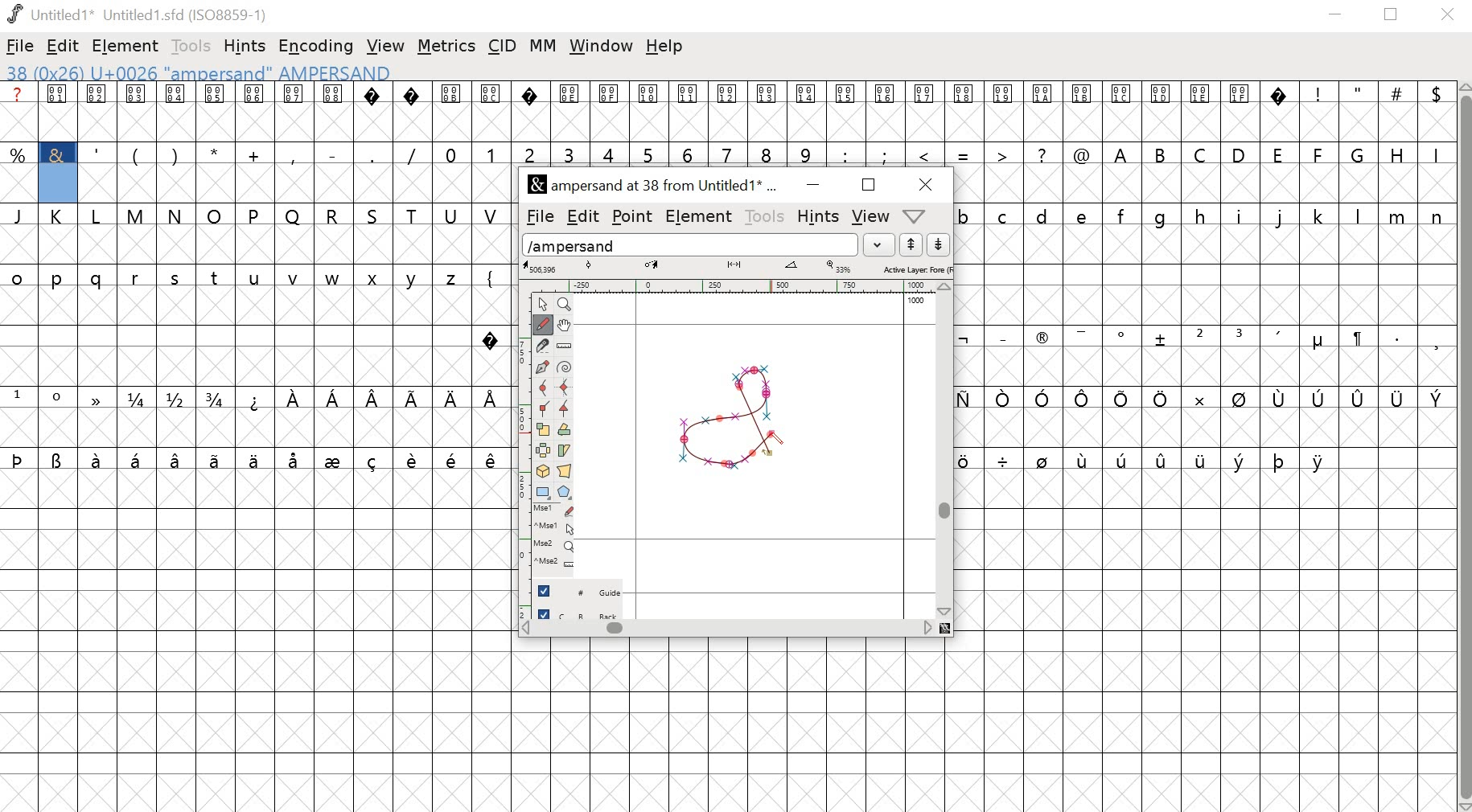  Describe the element at coordinates (127, 45) in the screenshot. I see `element` at that location.